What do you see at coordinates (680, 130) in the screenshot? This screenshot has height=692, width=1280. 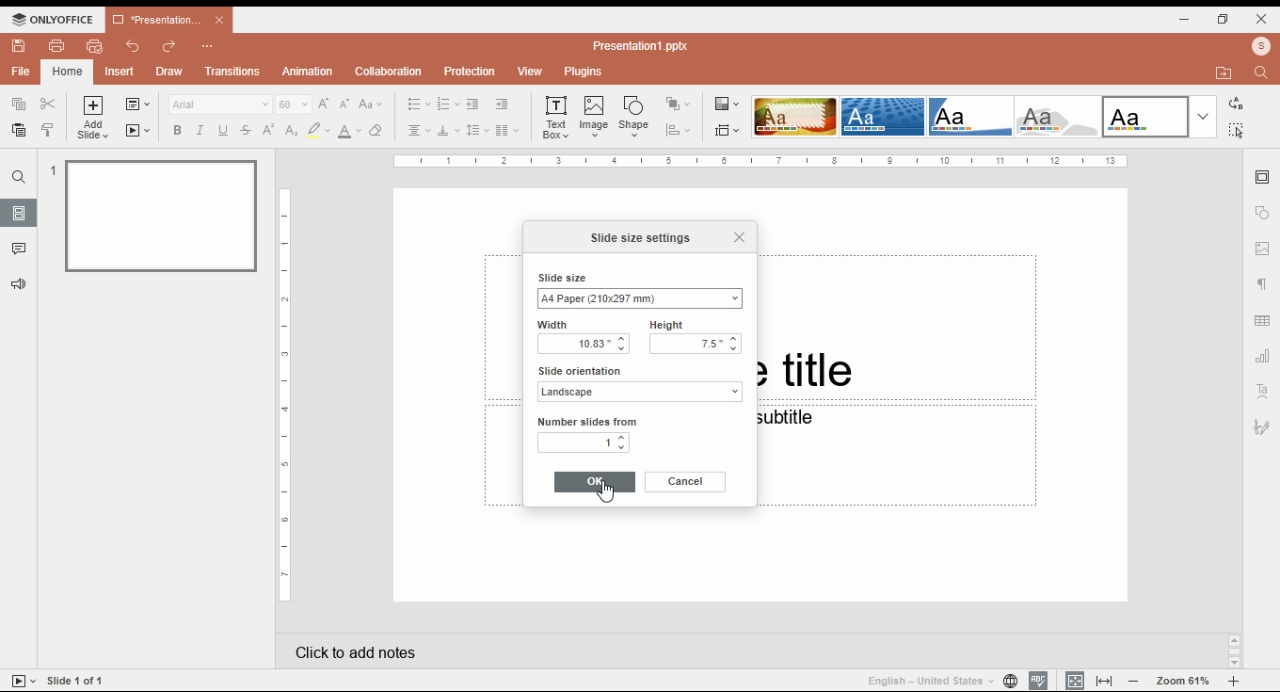 I see `align shape` at bounding box center [680, 130].